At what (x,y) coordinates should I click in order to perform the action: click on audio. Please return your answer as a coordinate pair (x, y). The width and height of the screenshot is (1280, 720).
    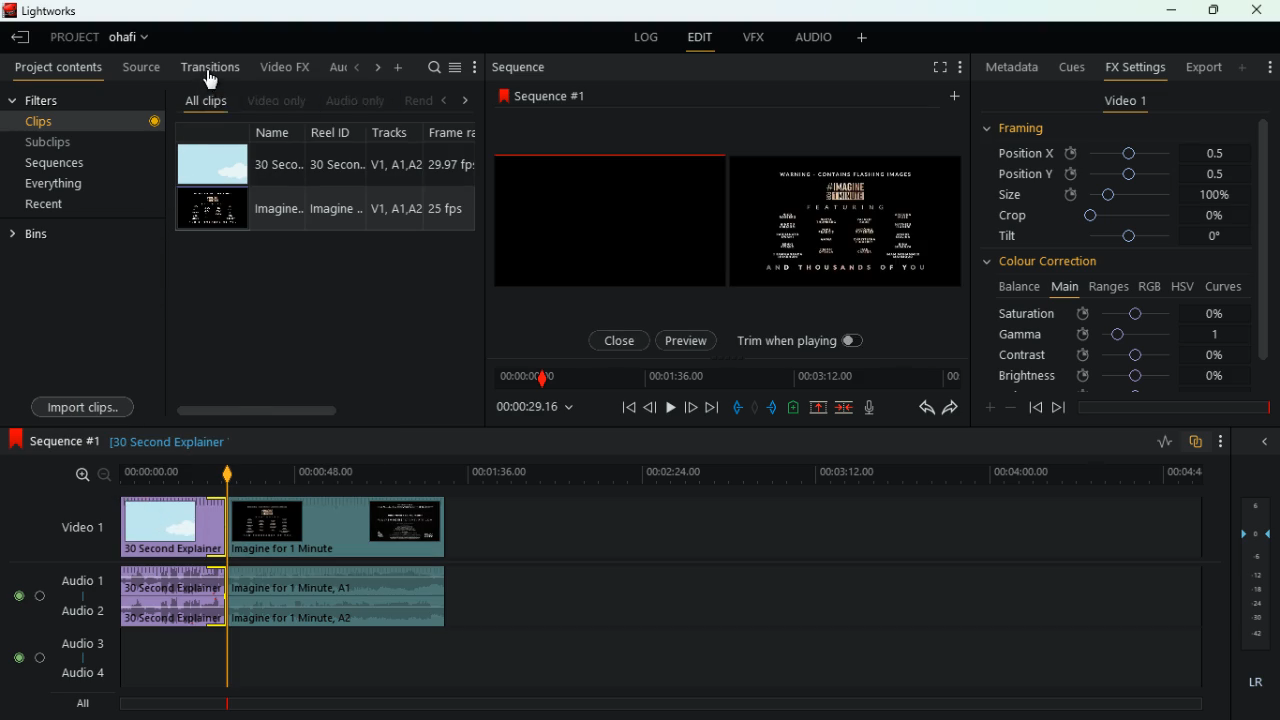
    Looking at the image, I should click on (350, 599).